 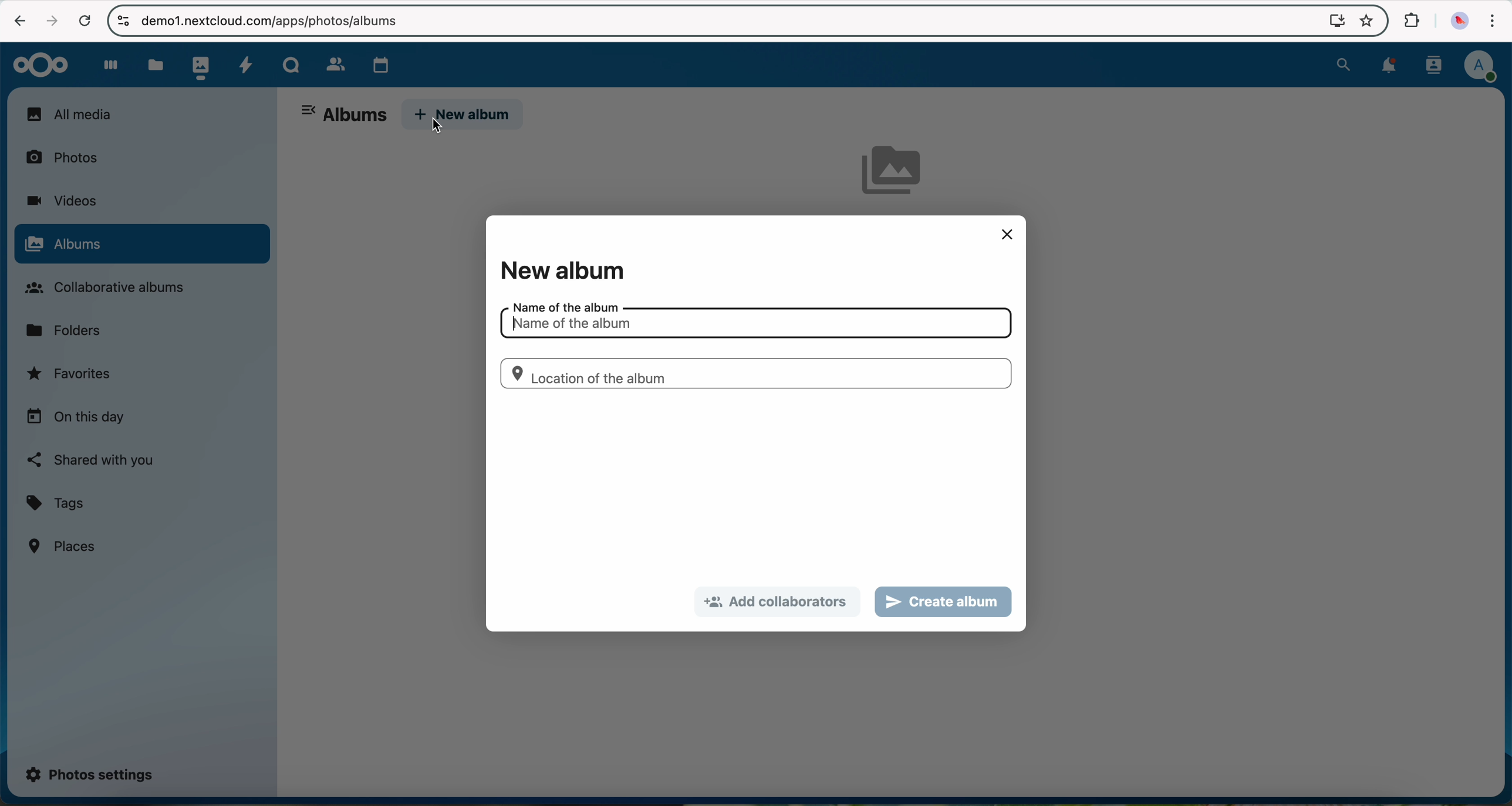 I want to click on url, so click(x=279, y=21).